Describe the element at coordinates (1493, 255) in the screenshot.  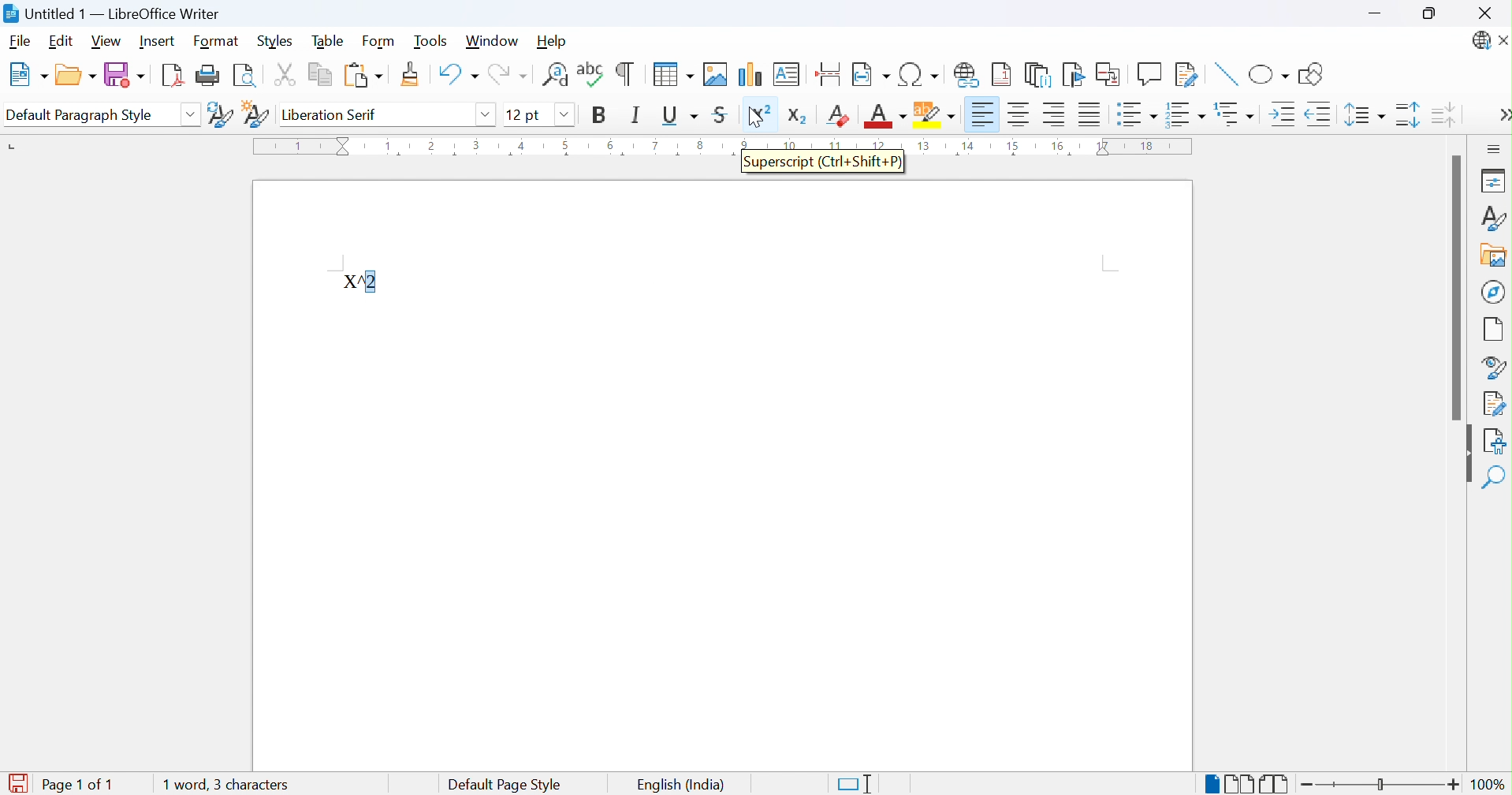
I see `Gallery` at that location.